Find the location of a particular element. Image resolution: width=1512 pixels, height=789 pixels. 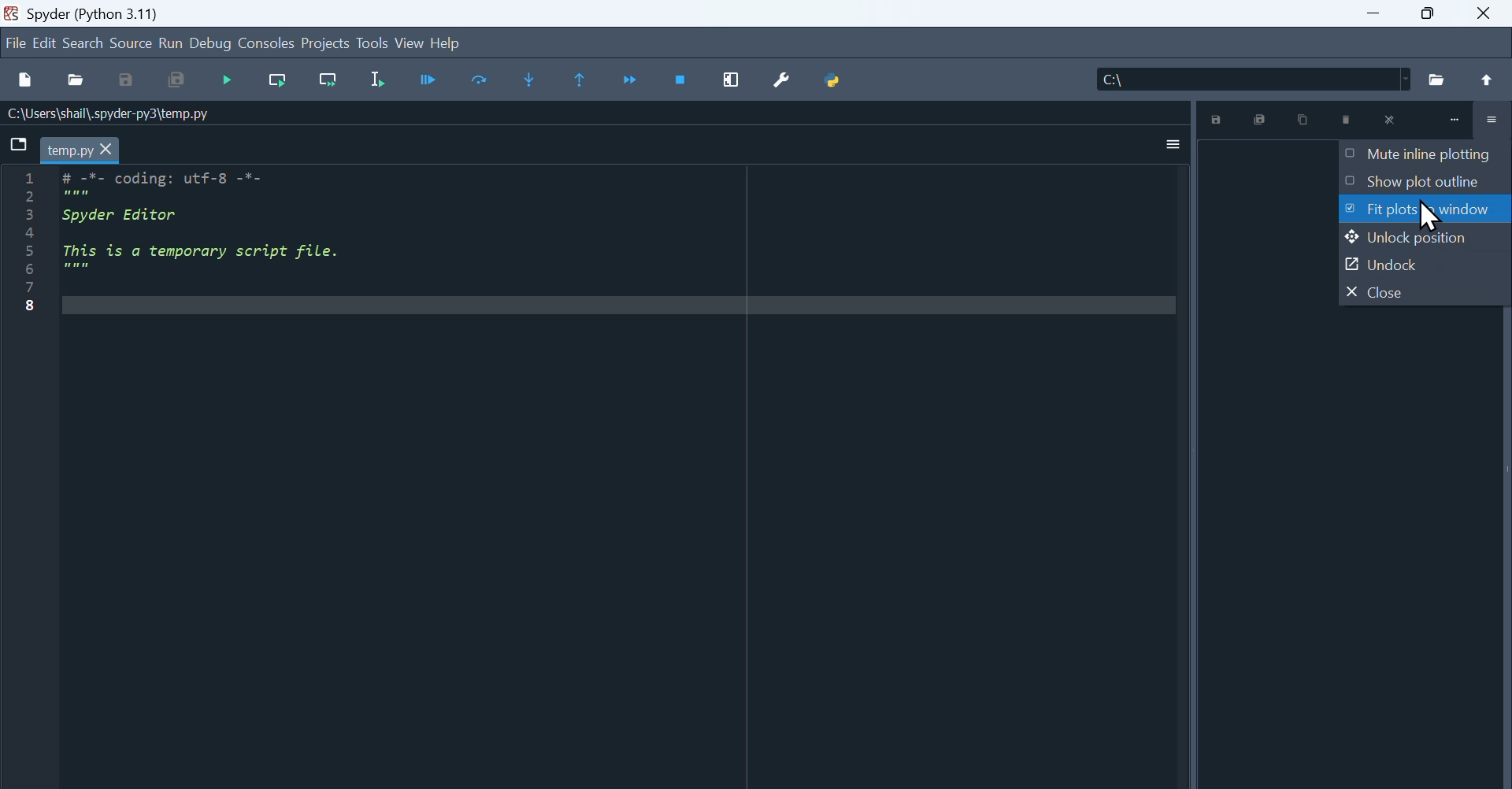

Maximize current window is located at coordinates (728, 78).